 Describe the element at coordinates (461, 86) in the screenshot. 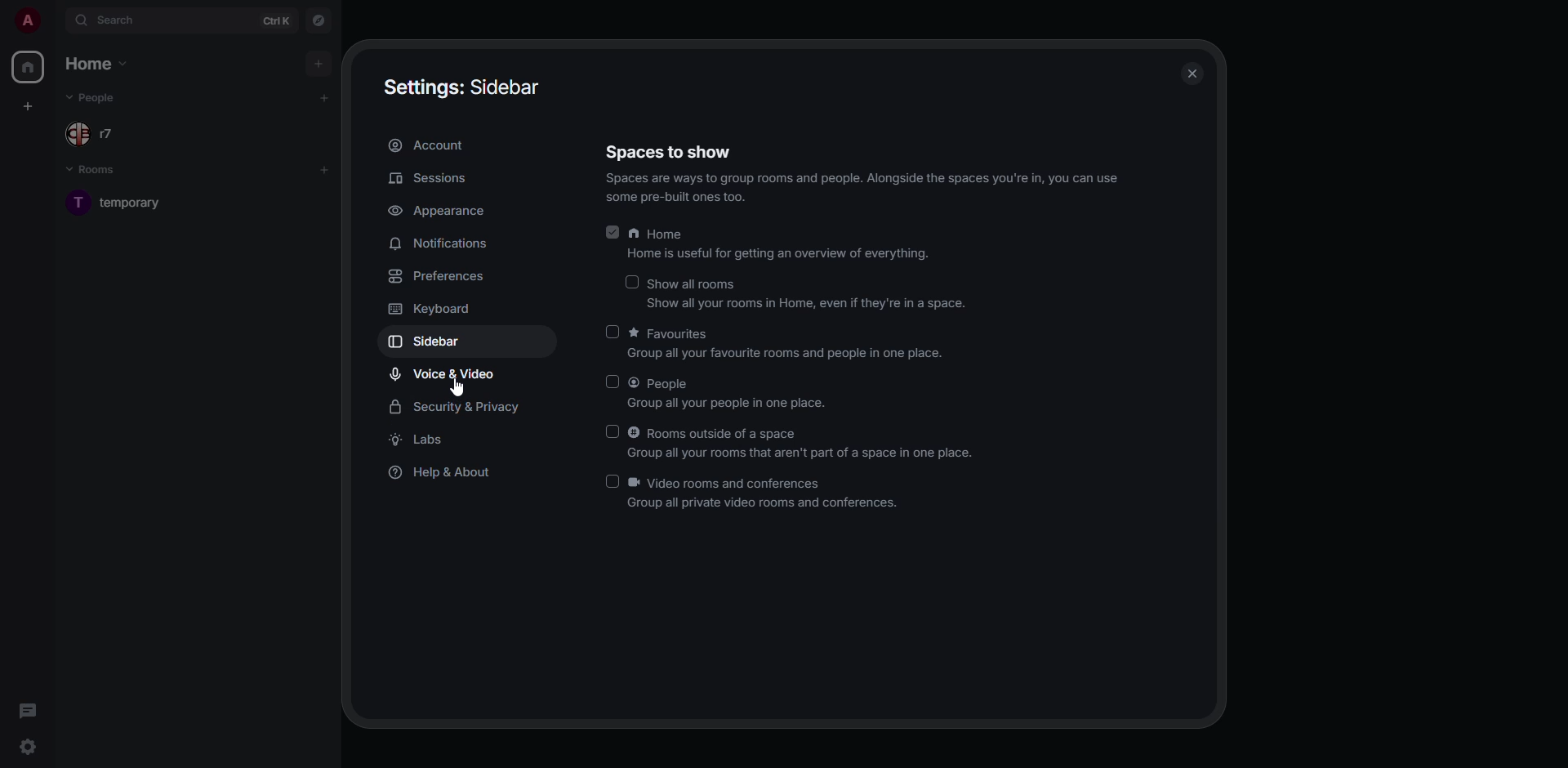

I see `settings sidebar` at that location.